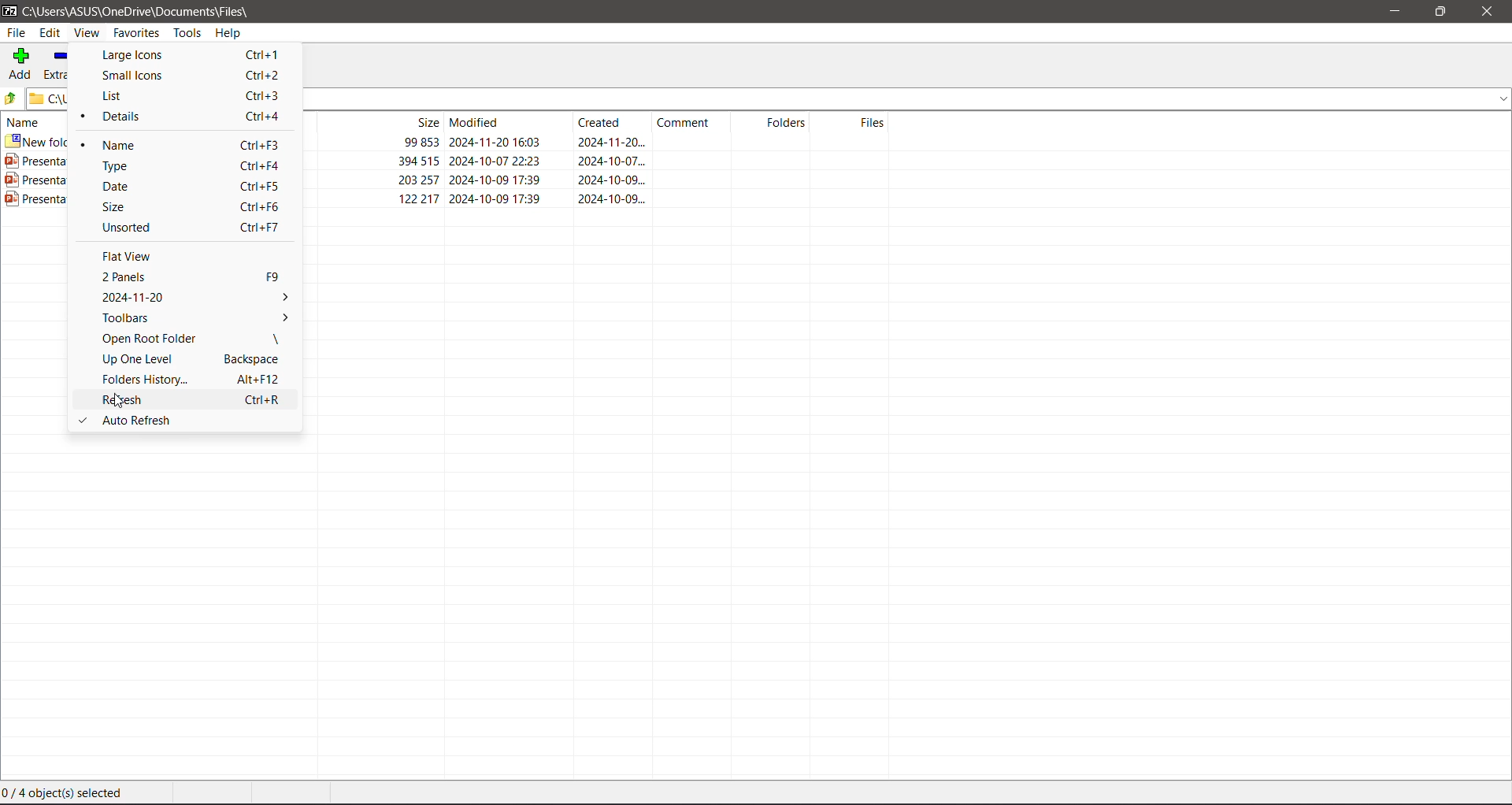 Image resolution: width=1512 pixels, height=805 pixels. Describe the element at coordinates (507, 121) in the screenshot. I see `modified` at that location.